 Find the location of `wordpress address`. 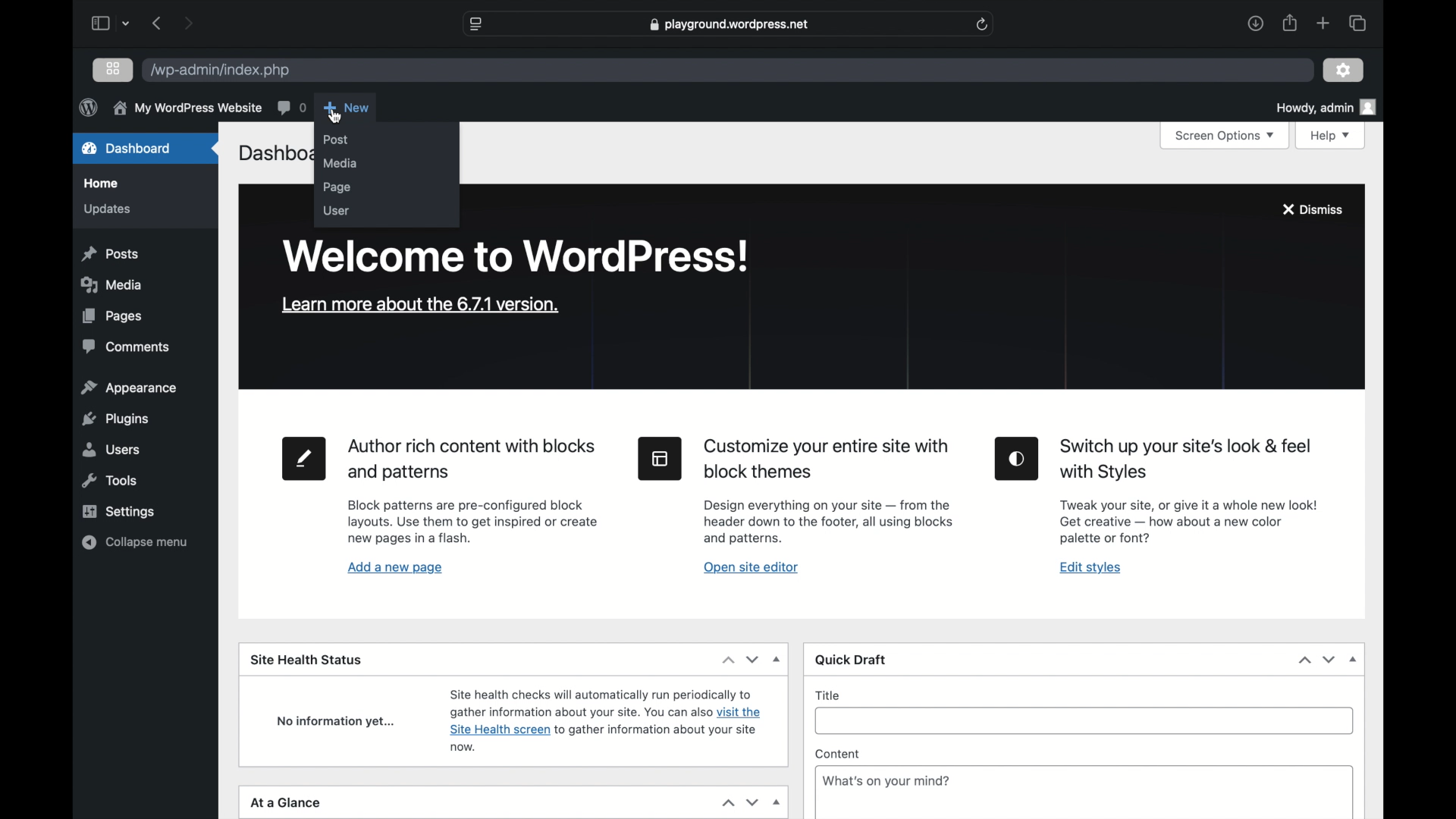

wordpress address is located at coordinates (221, 71).